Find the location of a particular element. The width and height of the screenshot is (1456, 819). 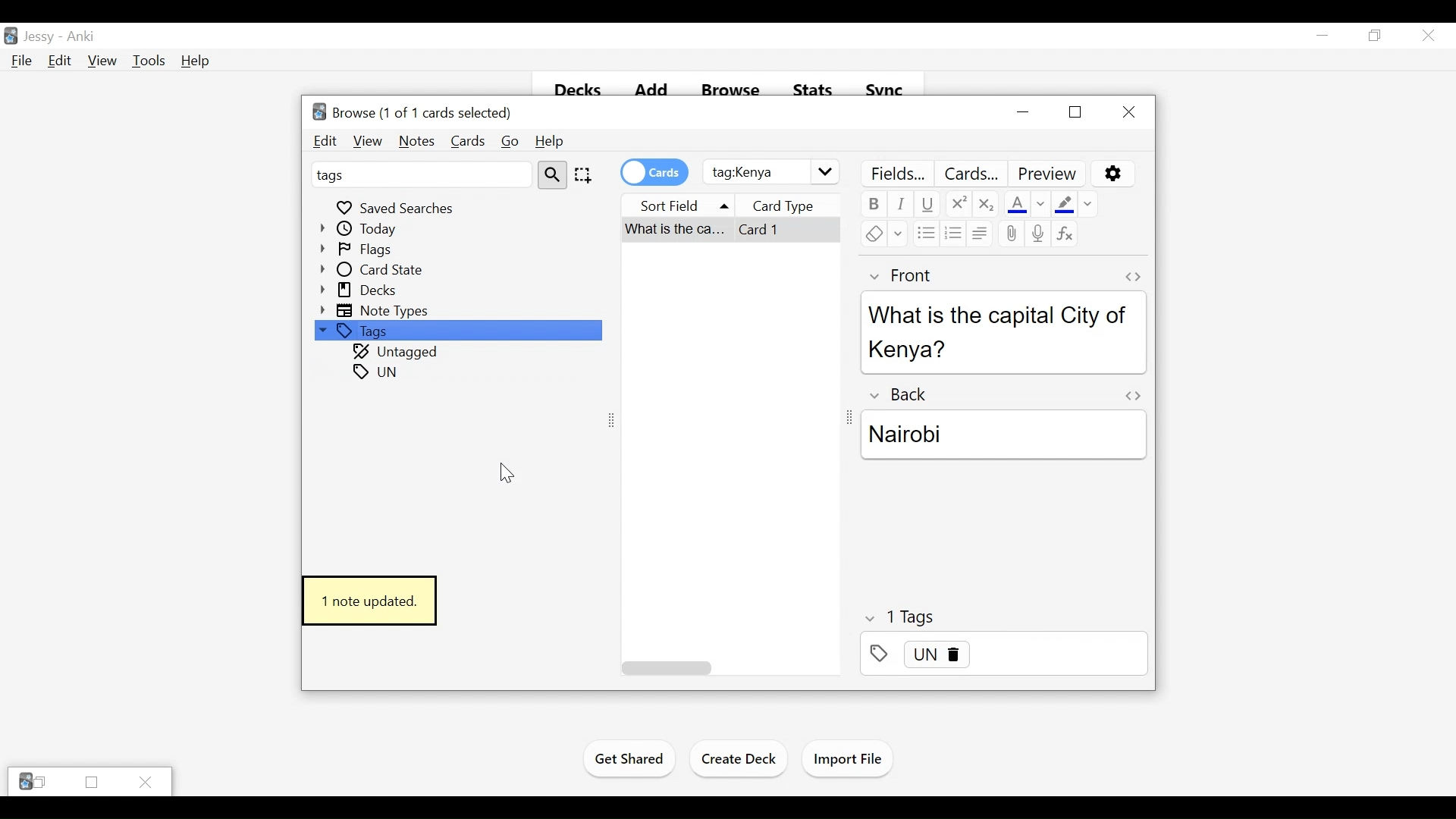

User Profile is located at coordinates (39, 38).